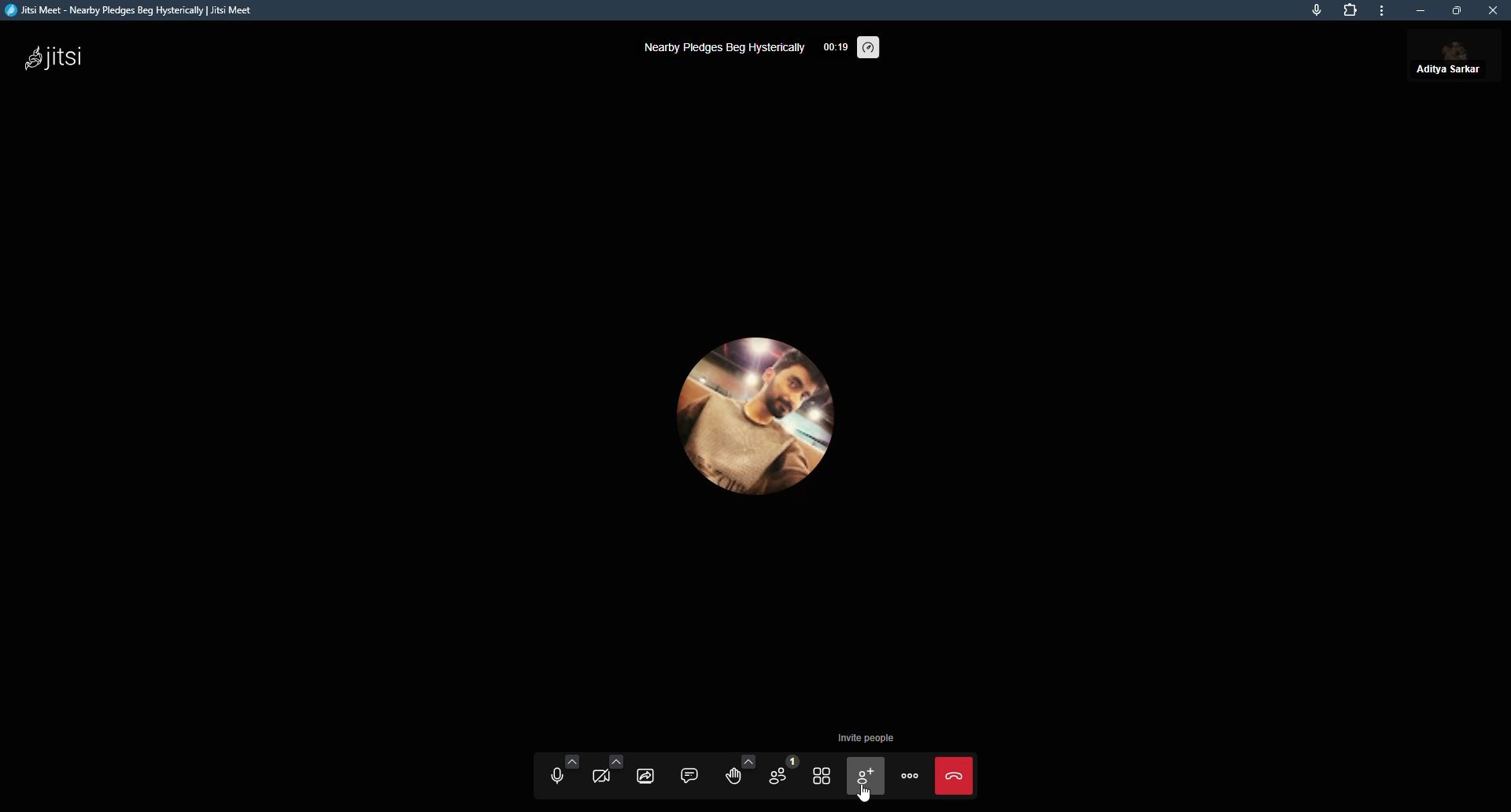 This screenshot has height=812, width=1511. I want to click on nearby pledges beg hysterically, so click(725, 47).